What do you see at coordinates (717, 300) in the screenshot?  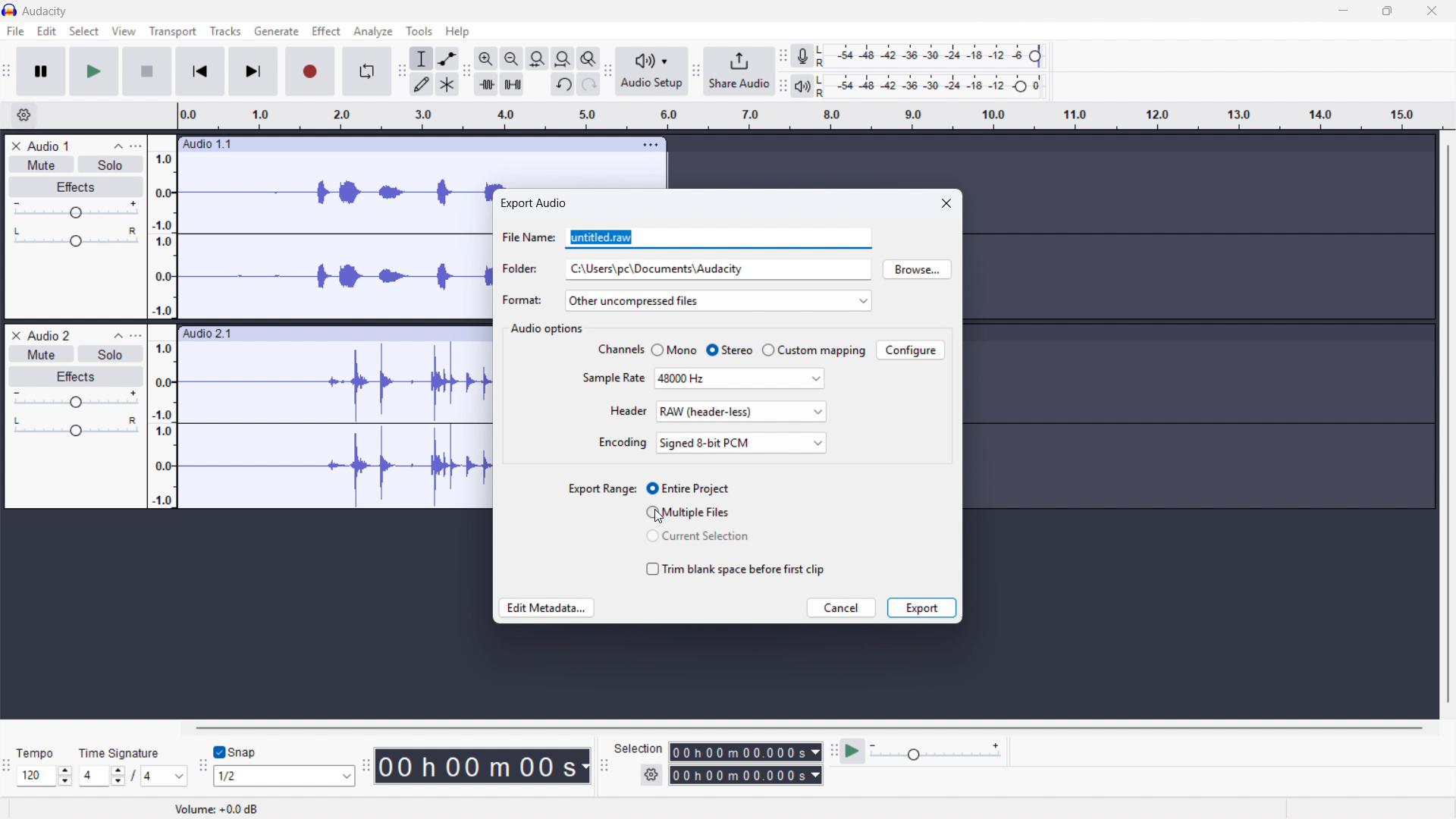 I see `Save format ` at bounding box center [717, 300].